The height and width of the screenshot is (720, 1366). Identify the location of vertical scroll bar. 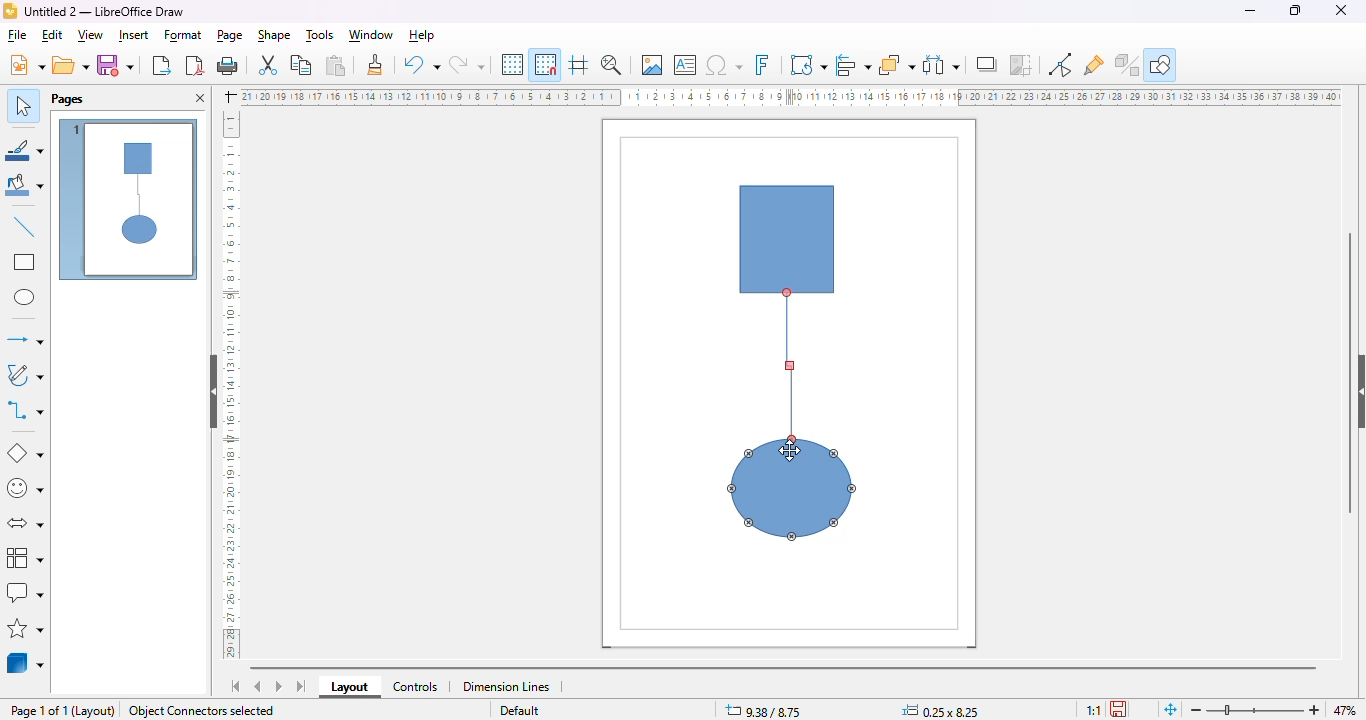
(1351, 373).